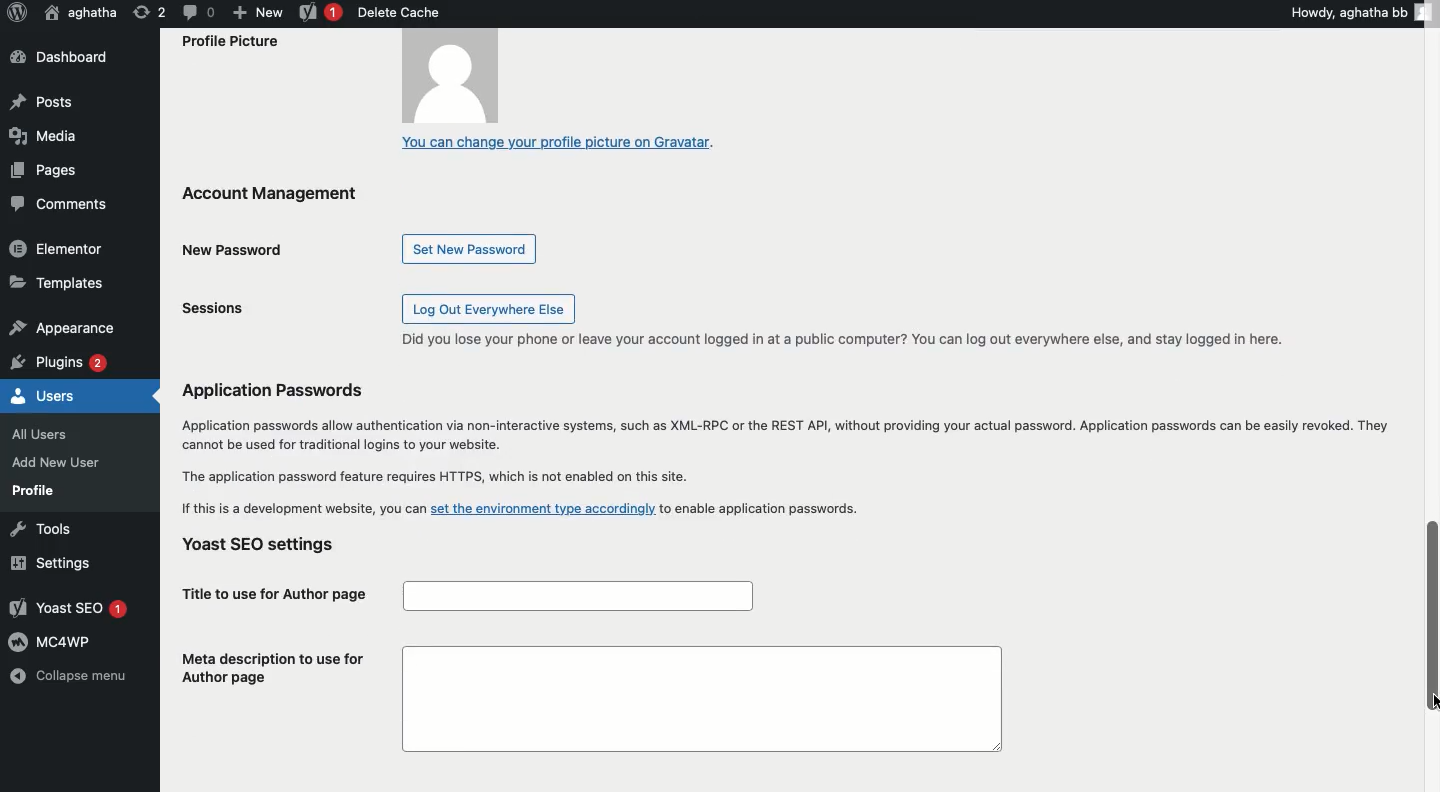 The width and height of the screenshot is (1440, 792). I want to click on Application passwords, so click(783, 447).